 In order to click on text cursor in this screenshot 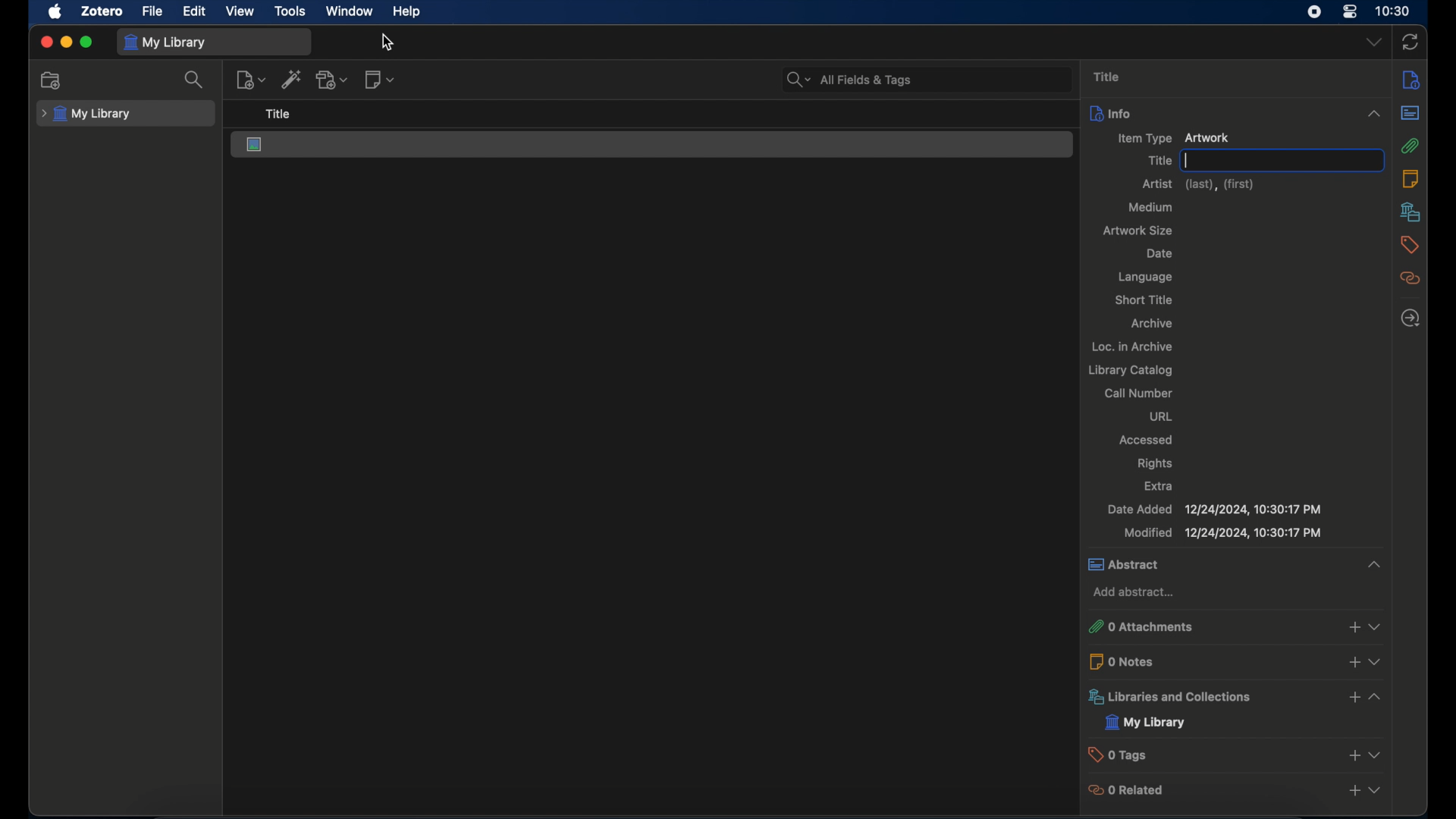, I will do `click(1188, 161)`.